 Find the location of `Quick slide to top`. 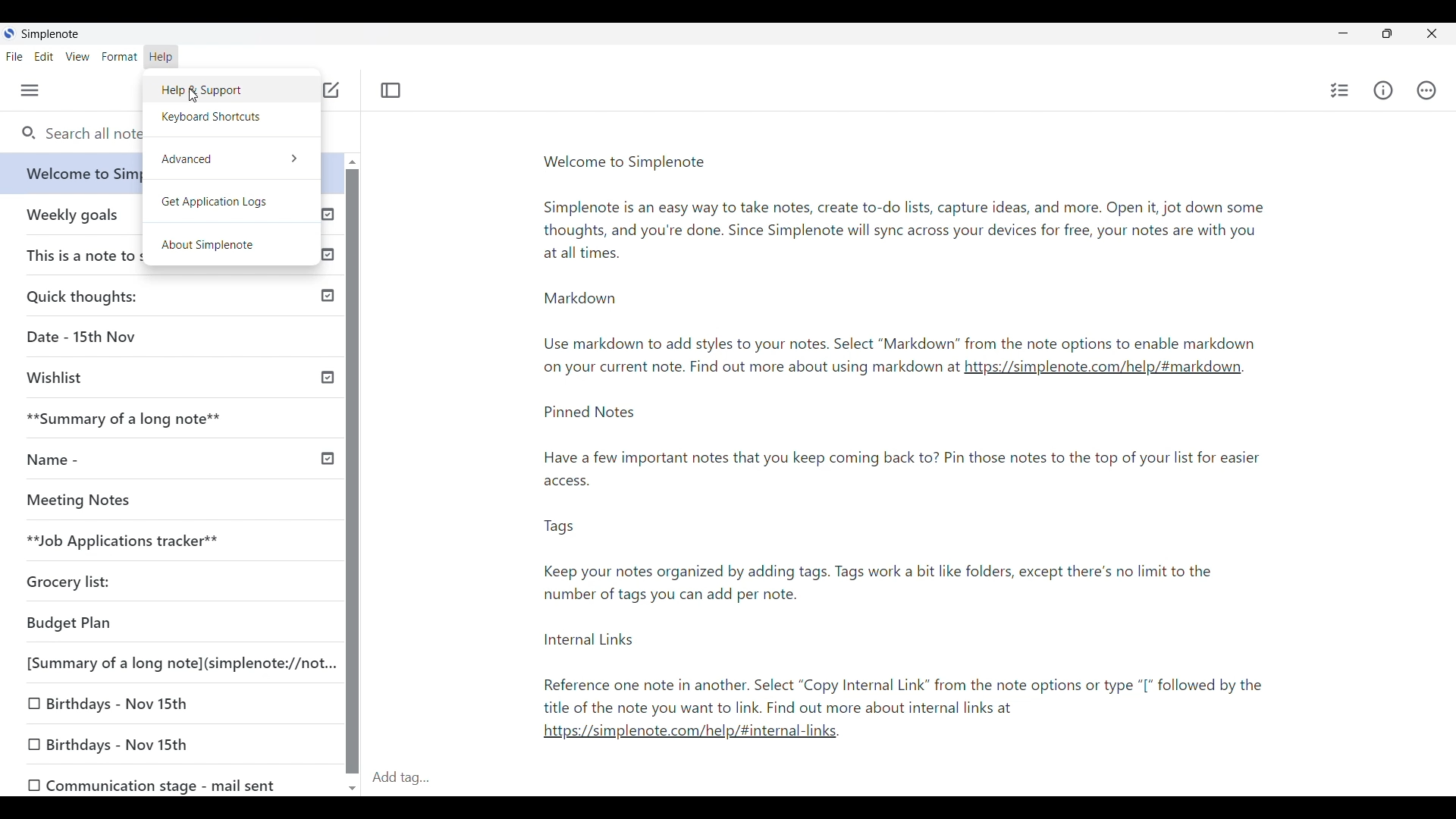

Quick slide to top is located at coordinates (353, 162).